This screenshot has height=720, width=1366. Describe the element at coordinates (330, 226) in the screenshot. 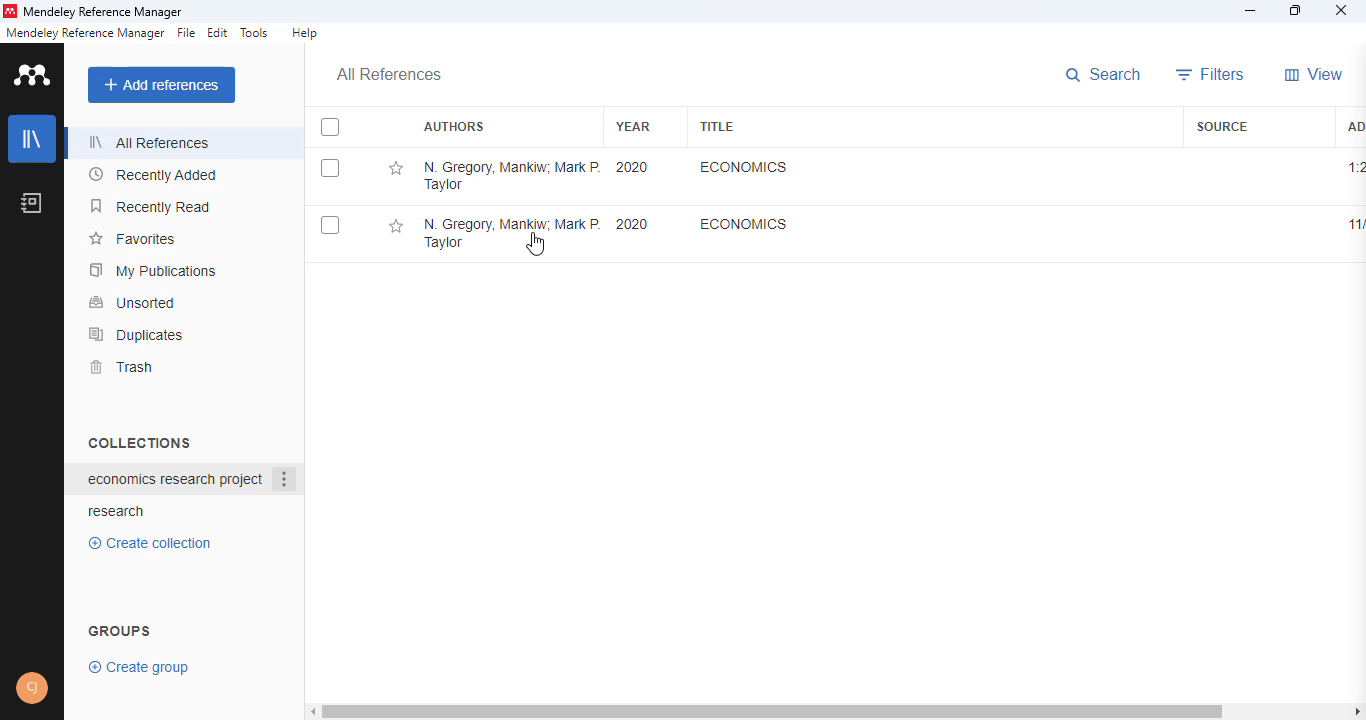

I see `select` at that location.